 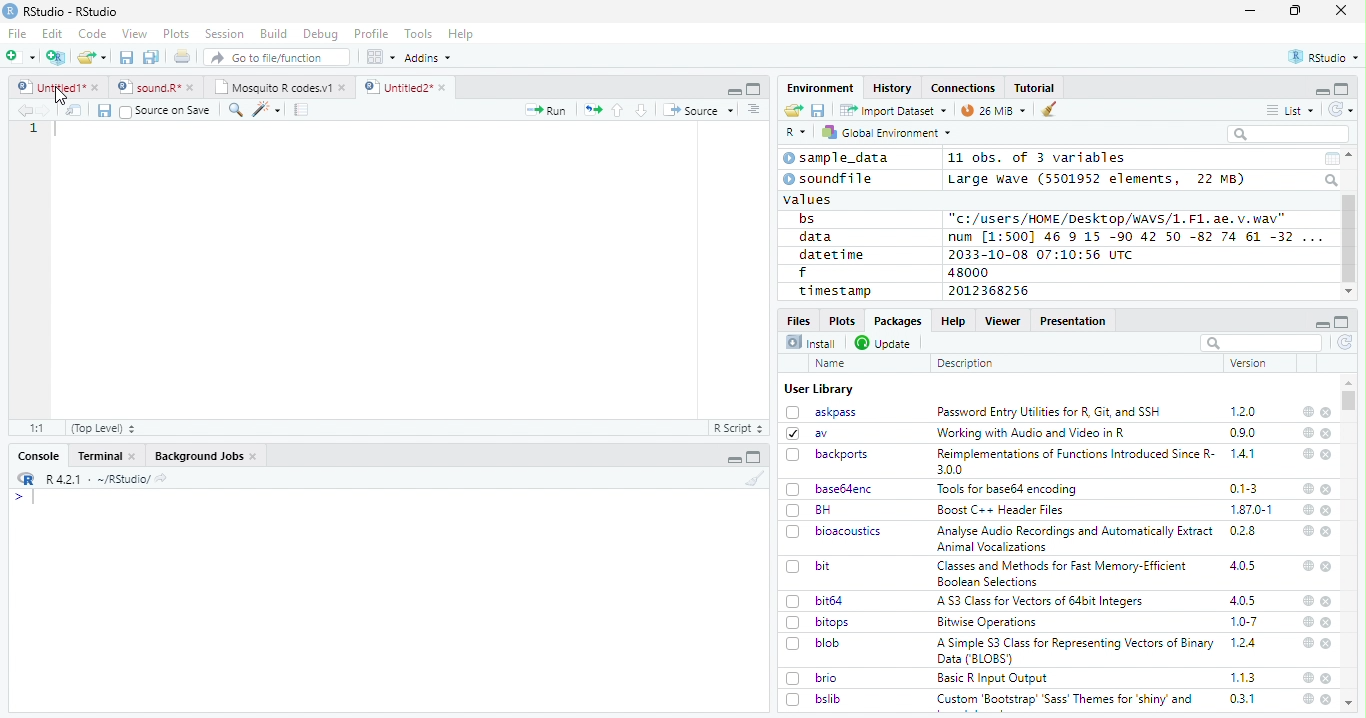 I want to click on Full screen, so click(x=754, y=457).